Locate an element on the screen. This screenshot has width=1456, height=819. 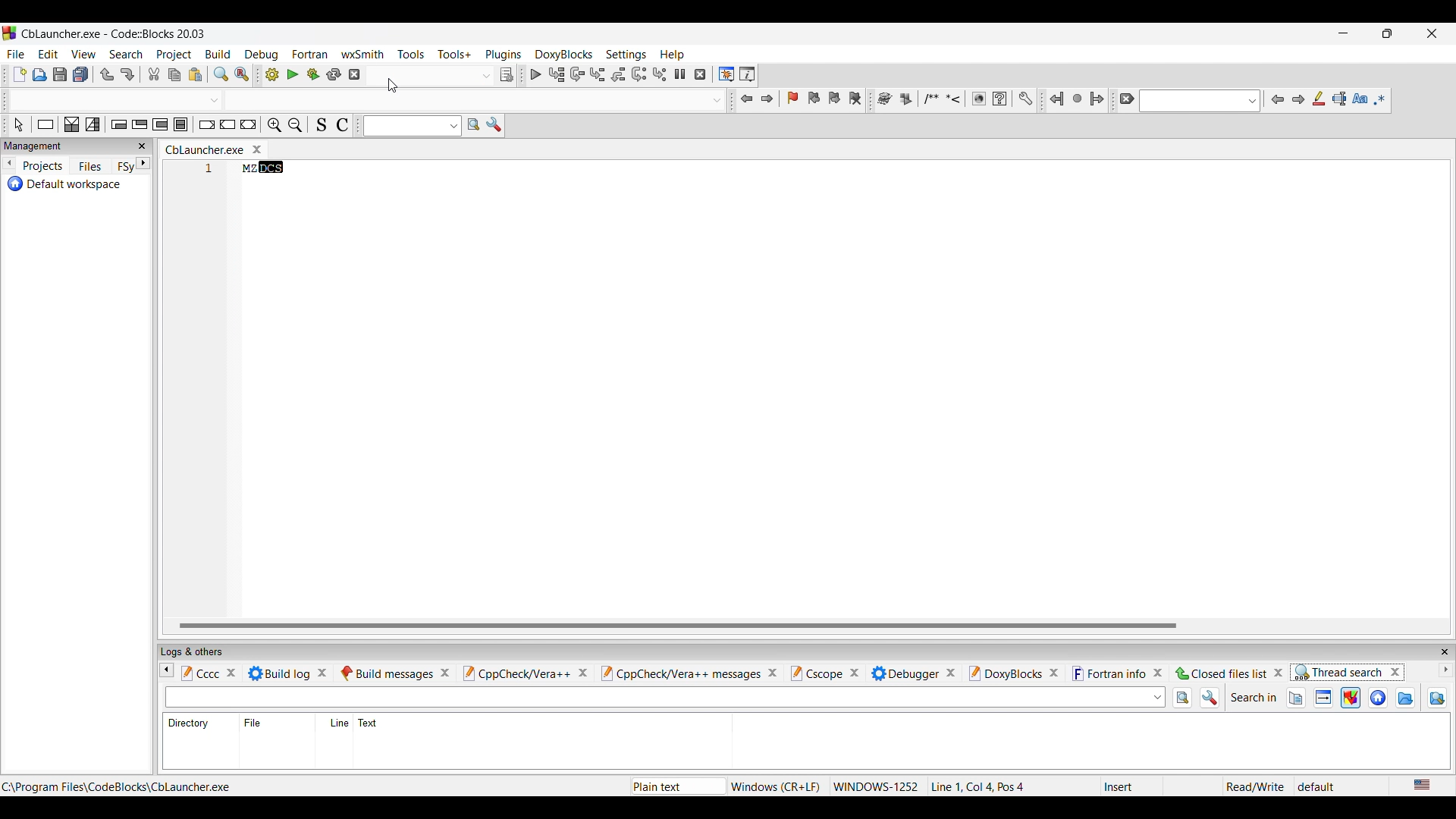
Next is located at coordinates (1298, 99).